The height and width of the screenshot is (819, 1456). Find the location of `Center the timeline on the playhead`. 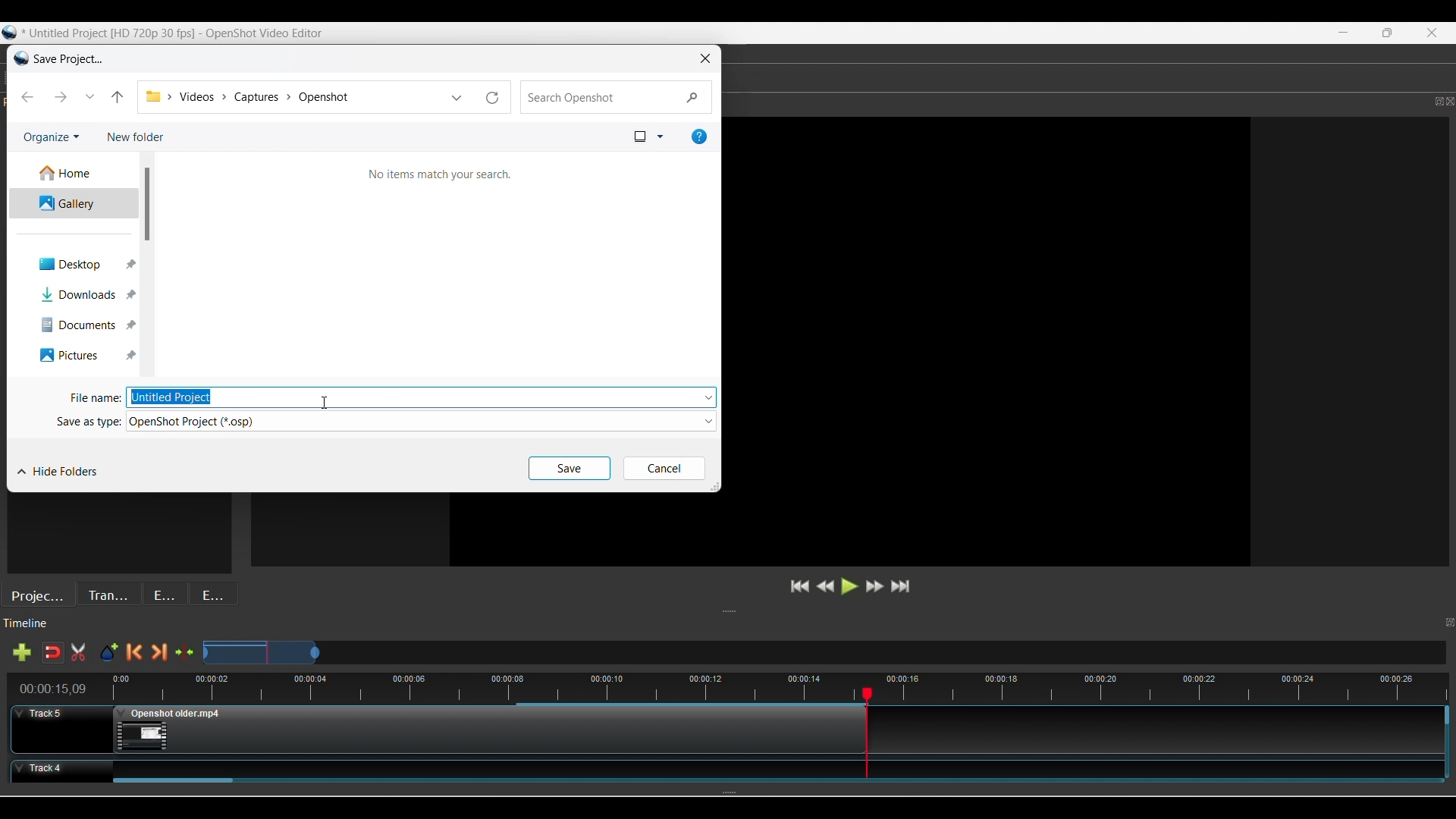

Center the timeline on the playhead is located at coordinates (184, 652).